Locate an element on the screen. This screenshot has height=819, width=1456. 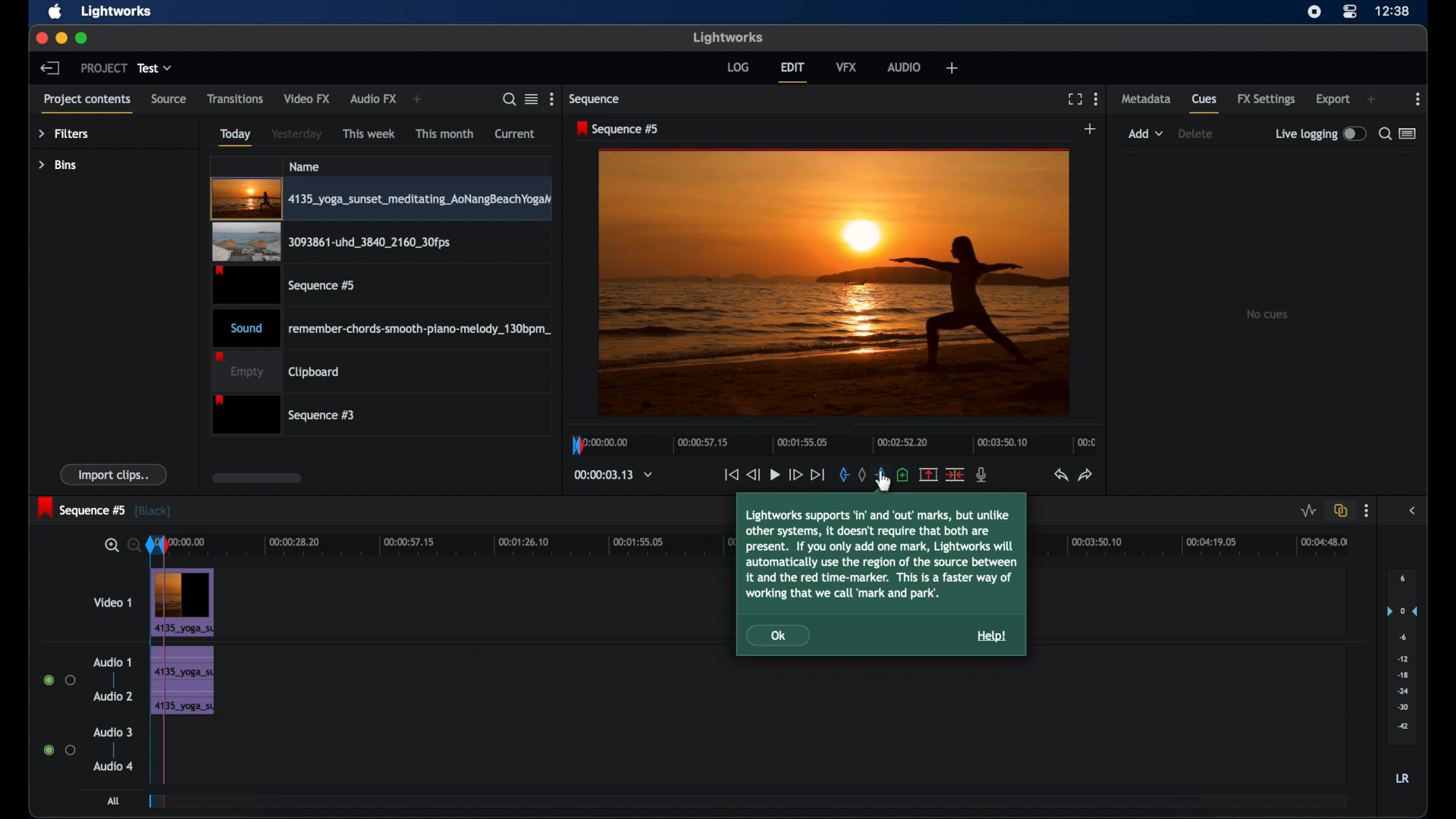
live logging is located at coordinates (1319, 133).